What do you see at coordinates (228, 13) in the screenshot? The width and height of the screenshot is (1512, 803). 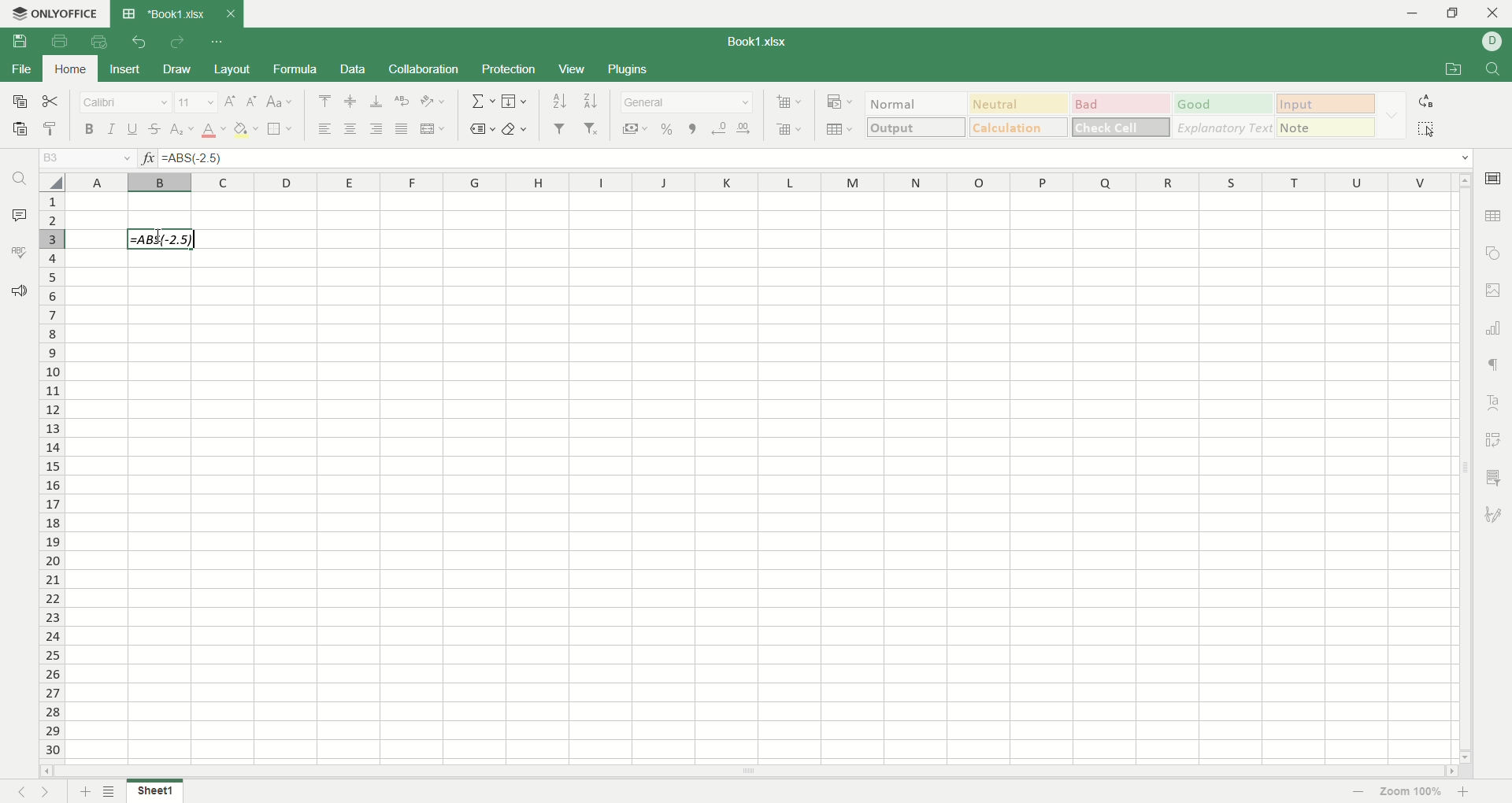 I see `closes` at bounding box center [228, 13].